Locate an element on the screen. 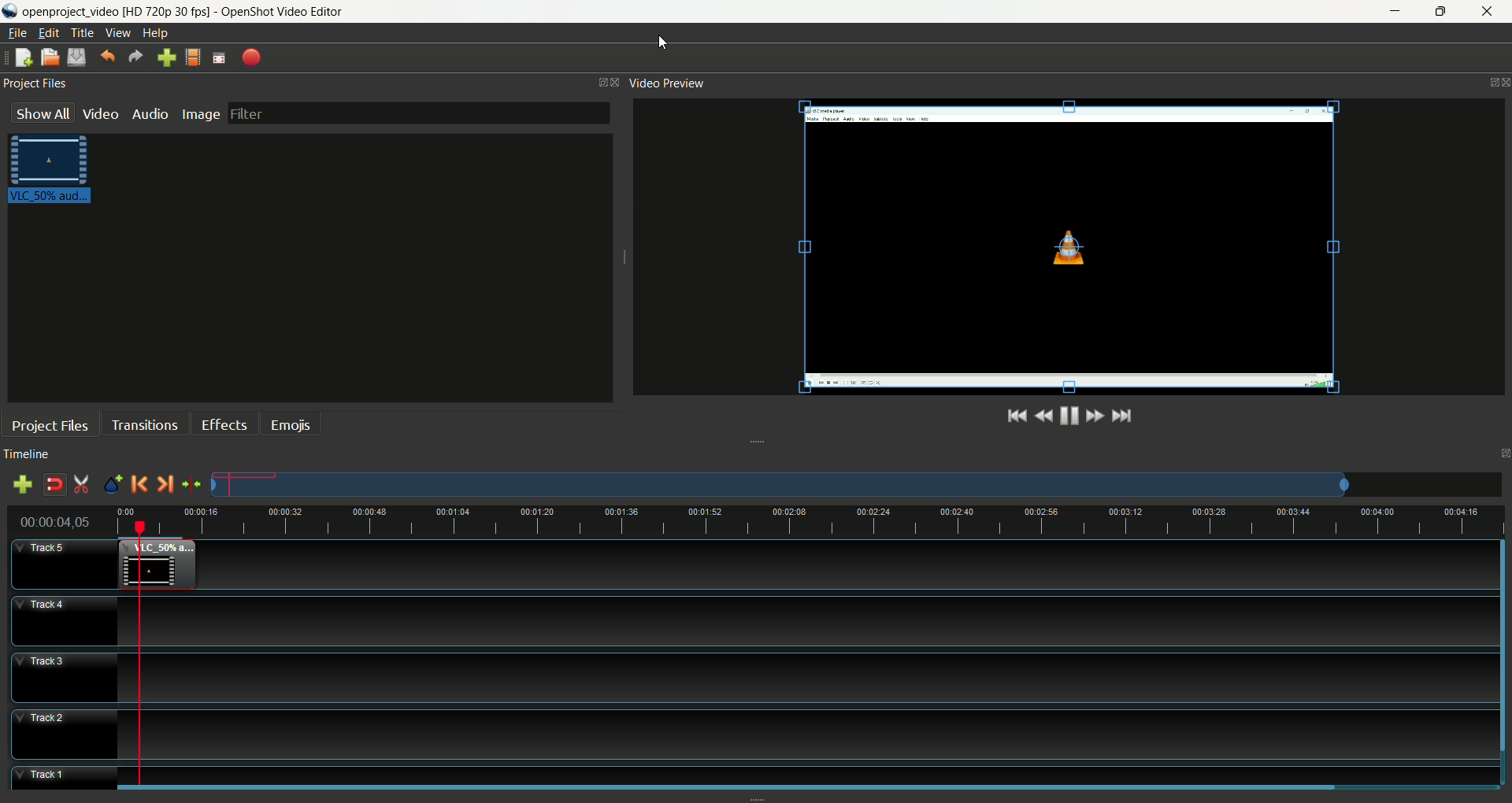 The image size is (1512, 803). video preview is located at coordinates (665, 83).